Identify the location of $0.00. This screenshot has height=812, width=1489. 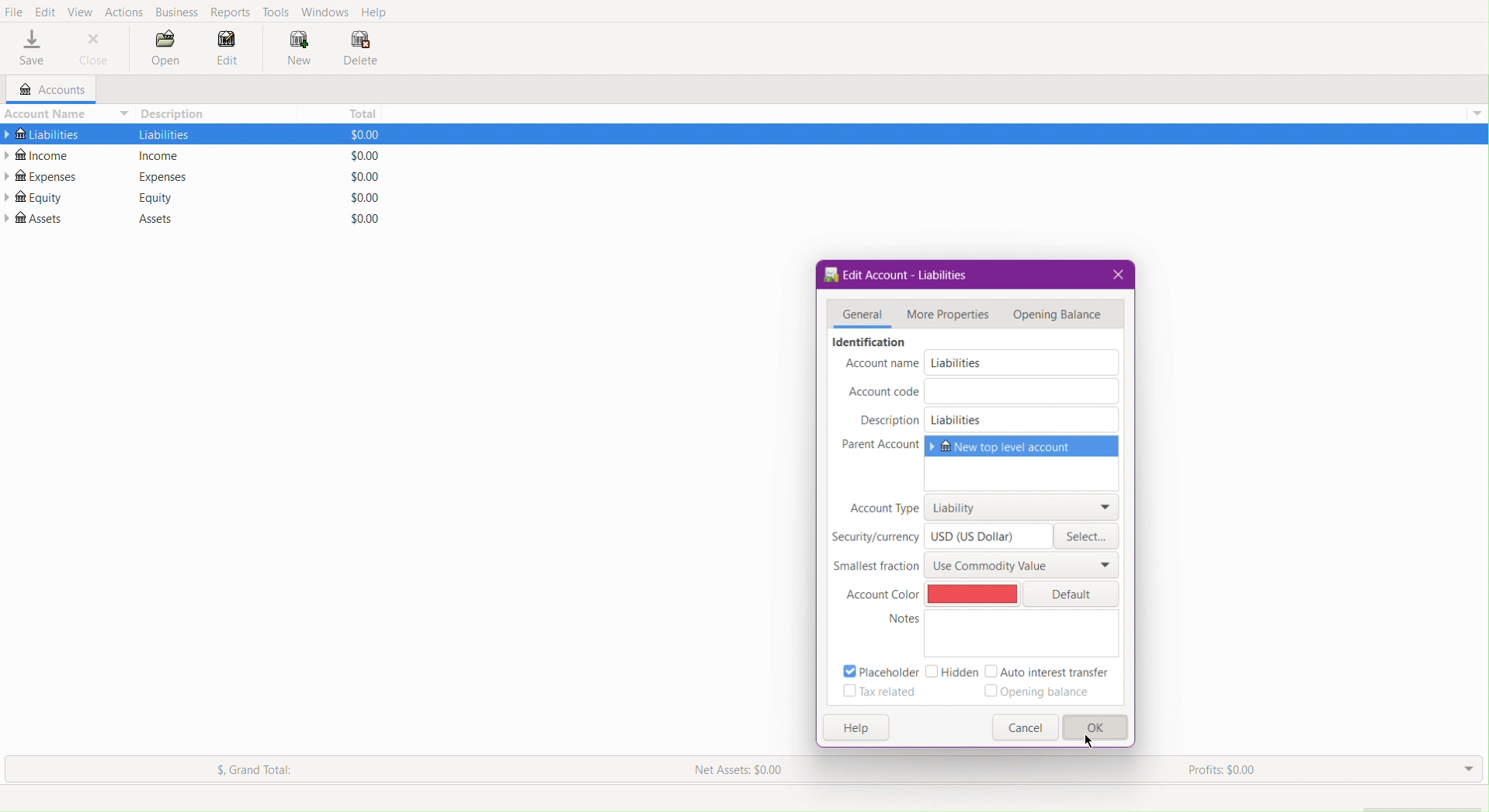
(359, 177).